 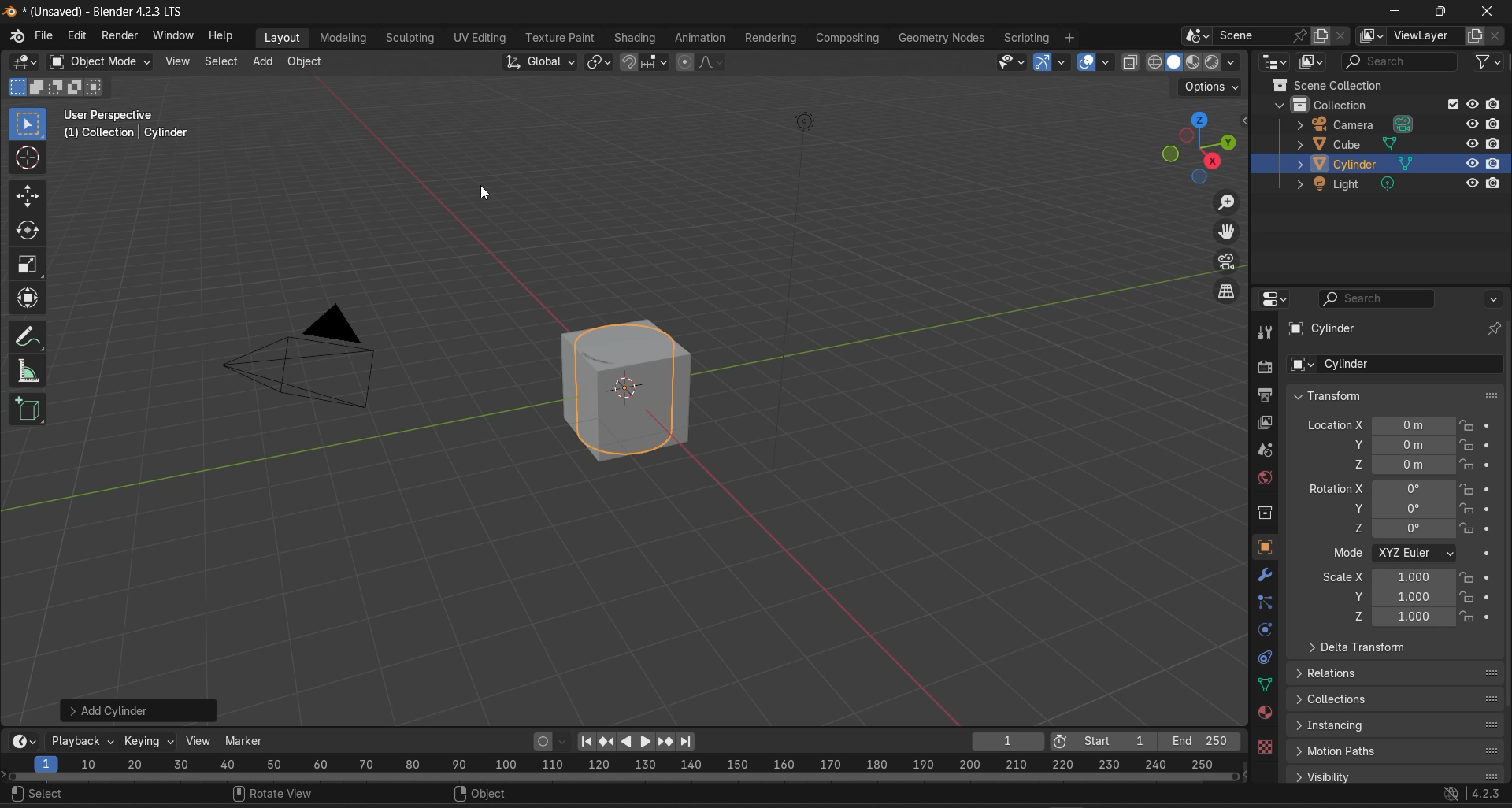 I want to click on pin scene to workspace, so click(x=1300, y=36).